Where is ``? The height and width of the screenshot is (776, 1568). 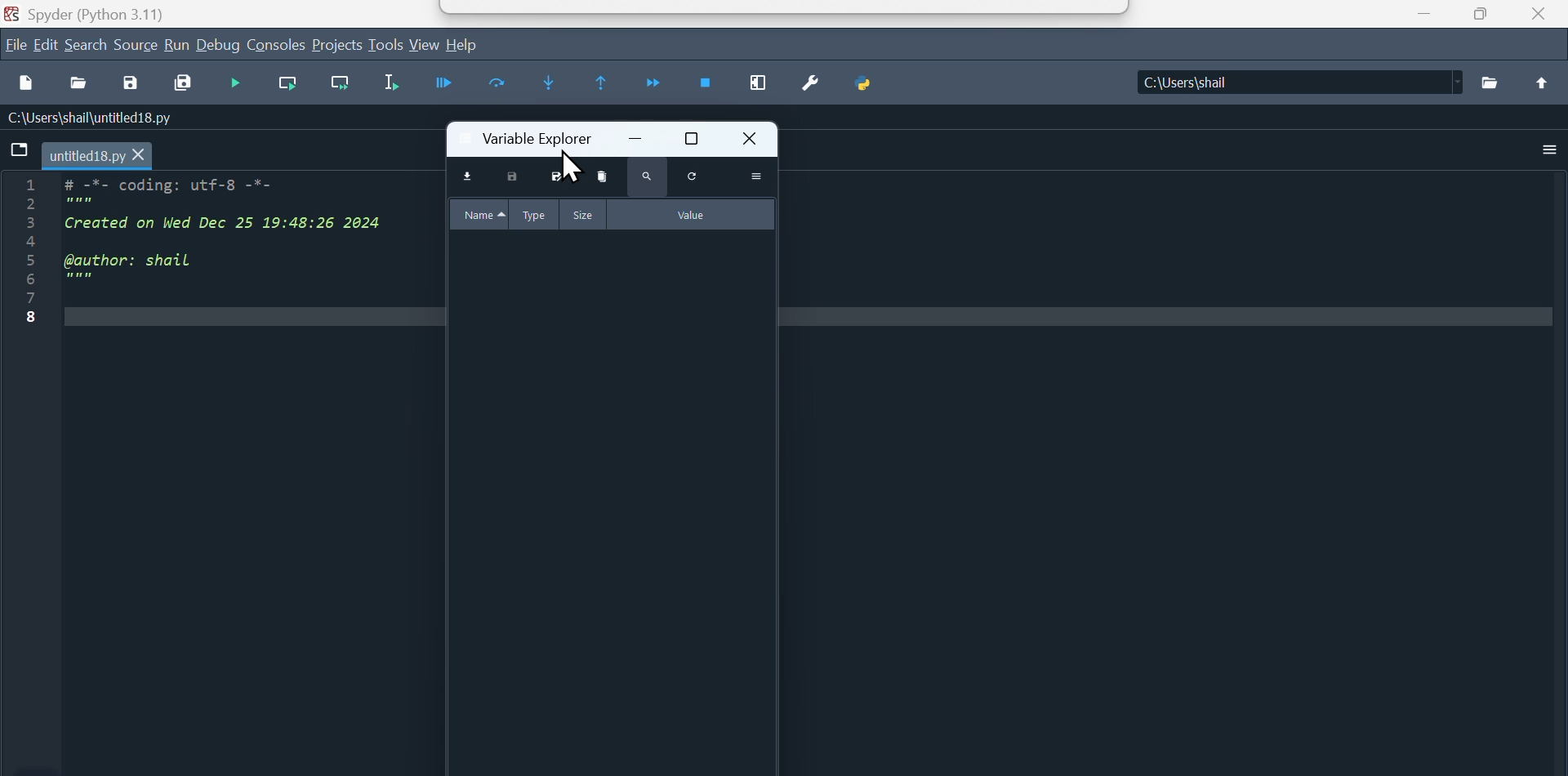  is located at coordinates (452, 88).